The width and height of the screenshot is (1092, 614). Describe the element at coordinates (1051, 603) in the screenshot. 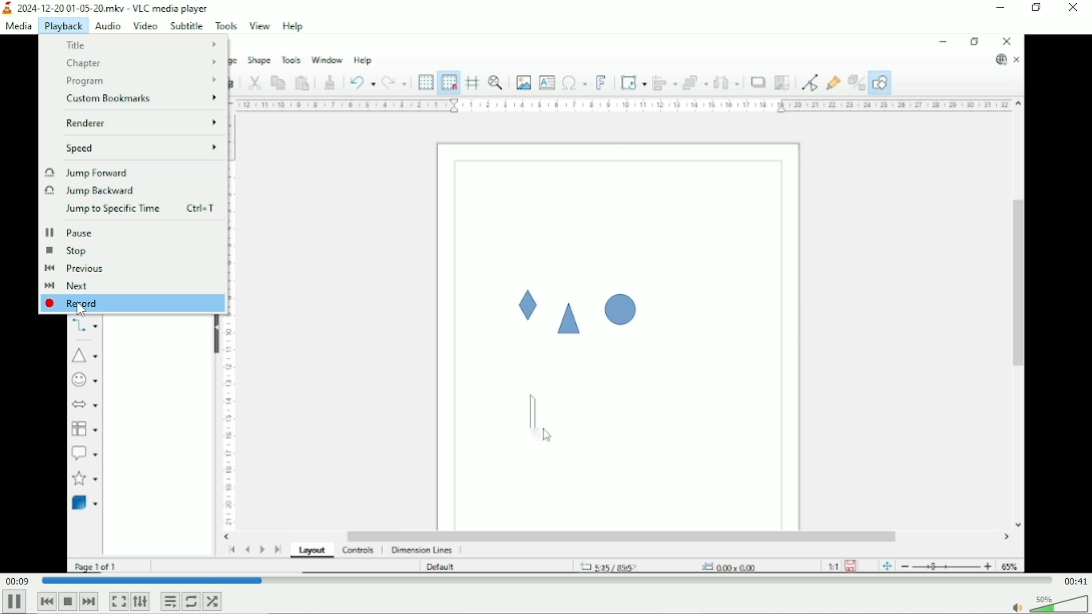

I see `Volume` at that location.